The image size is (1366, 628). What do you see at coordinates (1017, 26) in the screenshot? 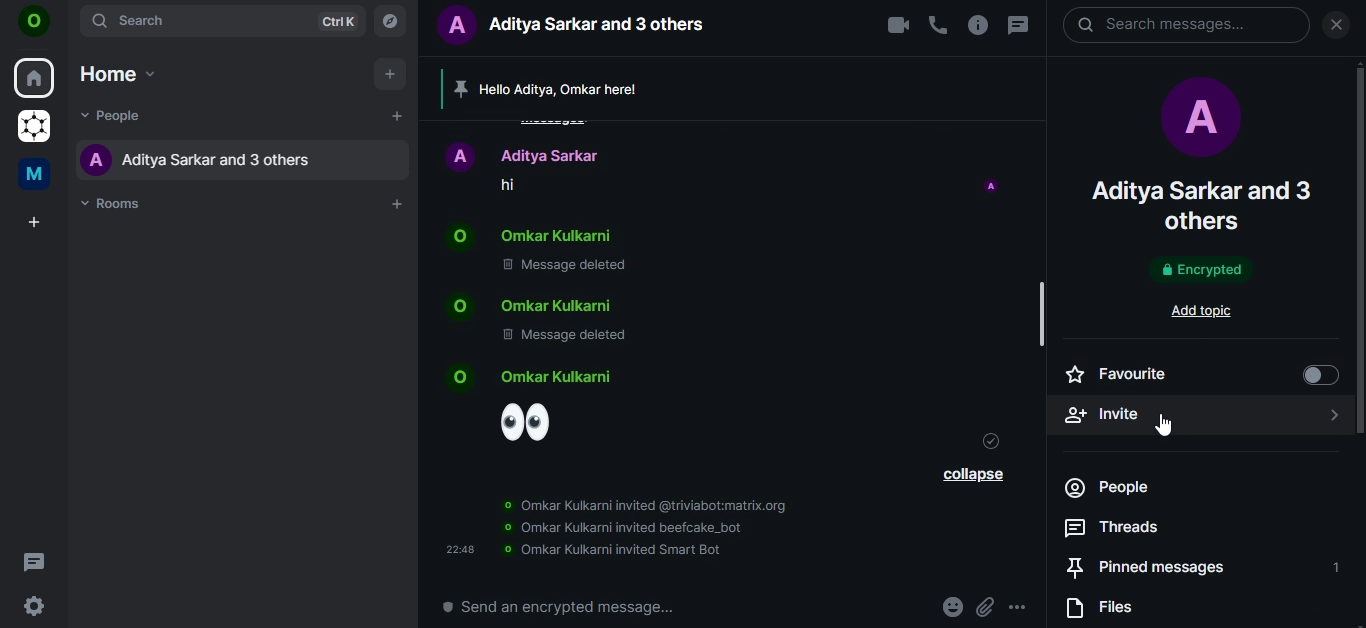
I see `threads` at bounding box center [1017, 26].